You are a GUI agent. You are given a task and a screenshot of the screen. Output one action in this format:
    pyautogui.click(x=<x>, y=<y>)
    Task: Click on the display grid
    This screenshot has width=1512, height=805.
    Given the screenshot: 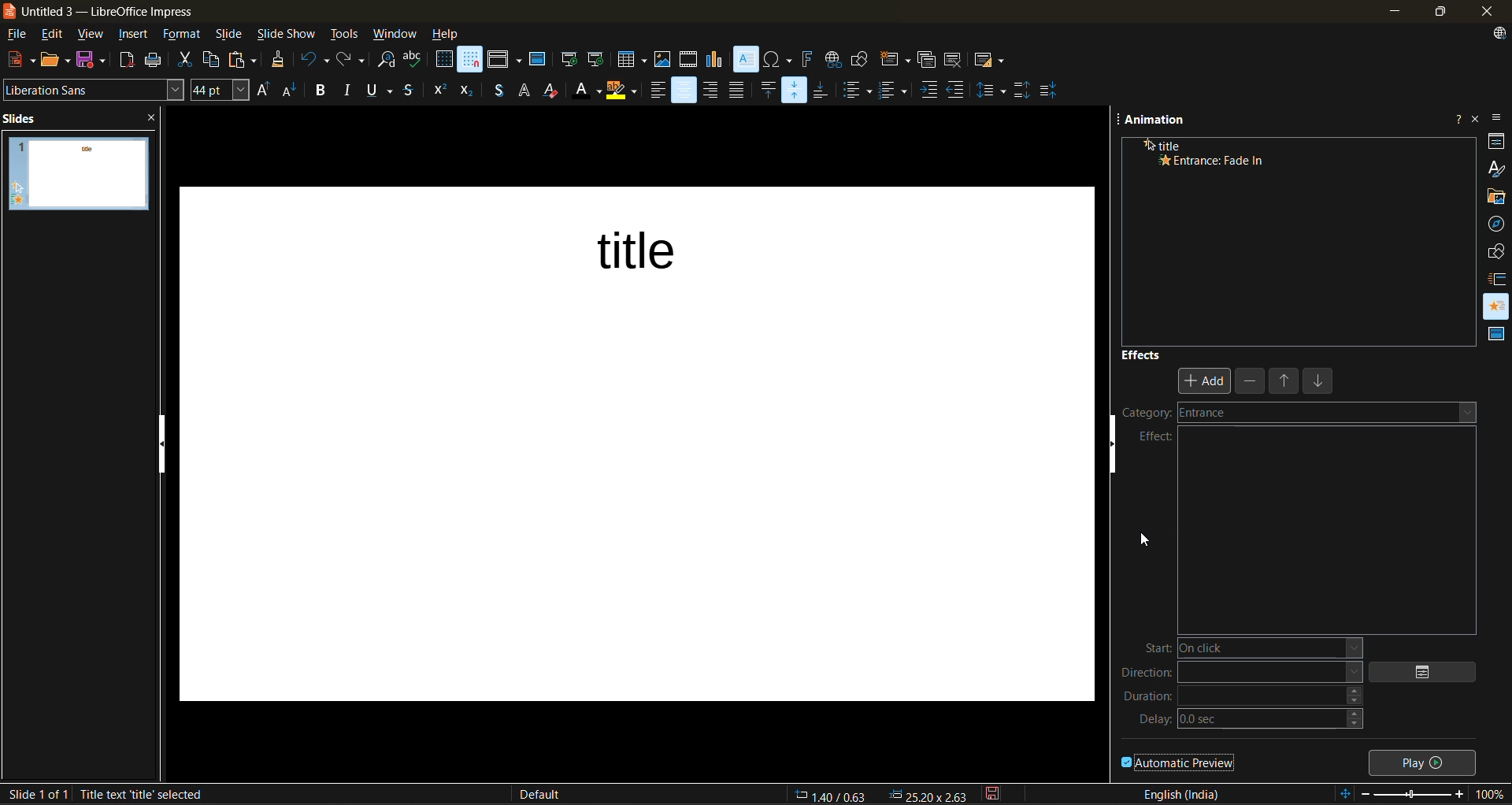 What is the action you would take?
    pyautogui.click(x=444, y=59)
    